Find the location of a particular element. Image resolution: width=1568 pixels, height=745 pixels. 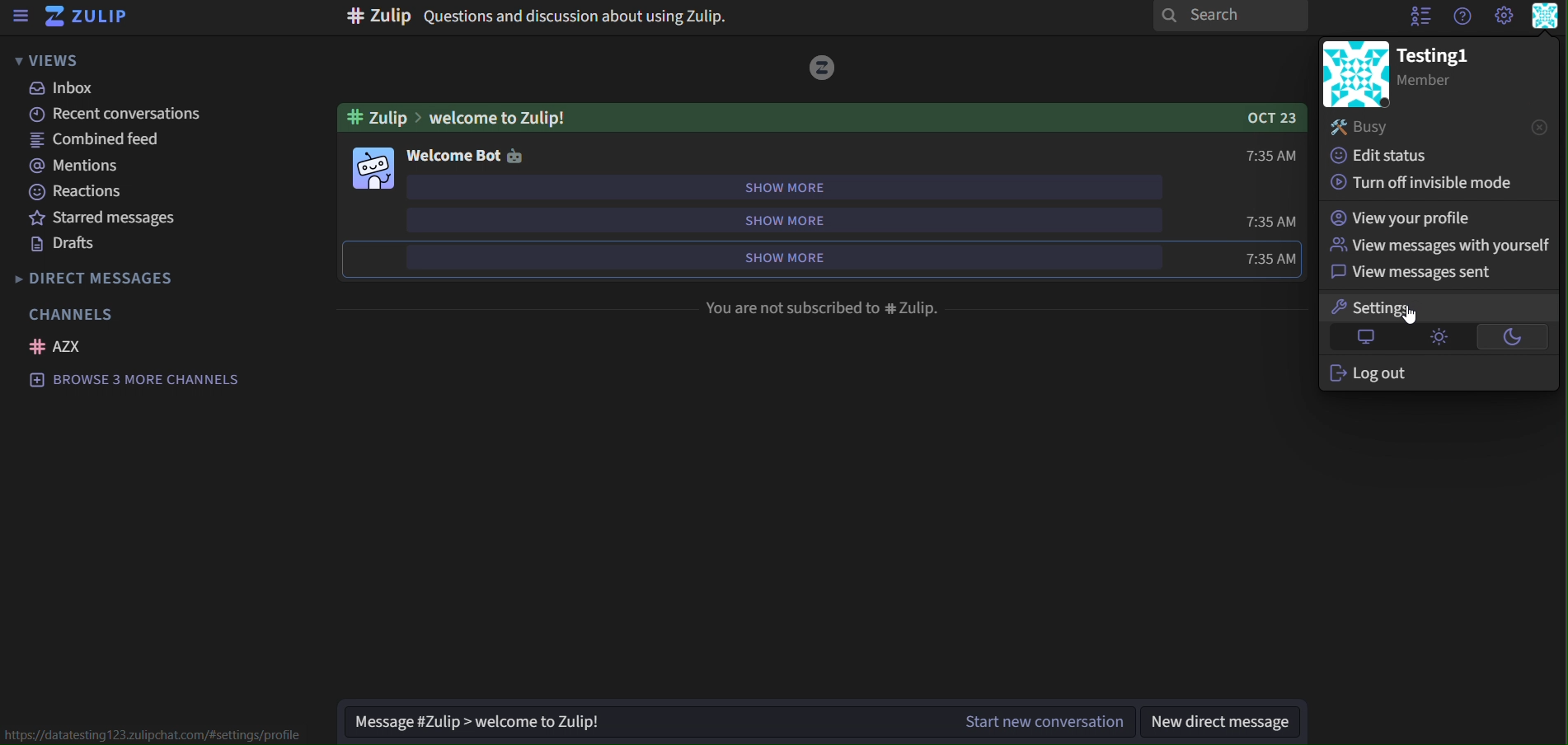

edit status is located at coordinates (1387, 154).